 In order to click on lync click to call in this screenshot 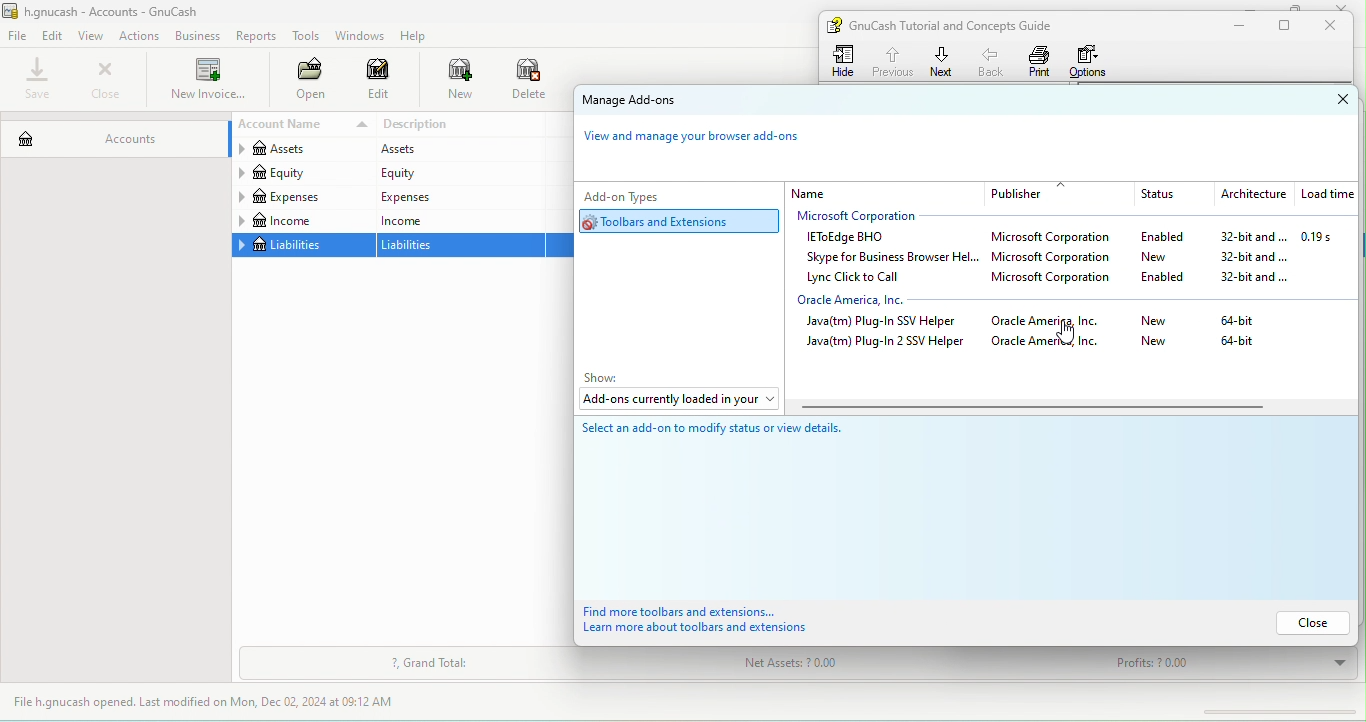, I will do `click(860, 278)`.